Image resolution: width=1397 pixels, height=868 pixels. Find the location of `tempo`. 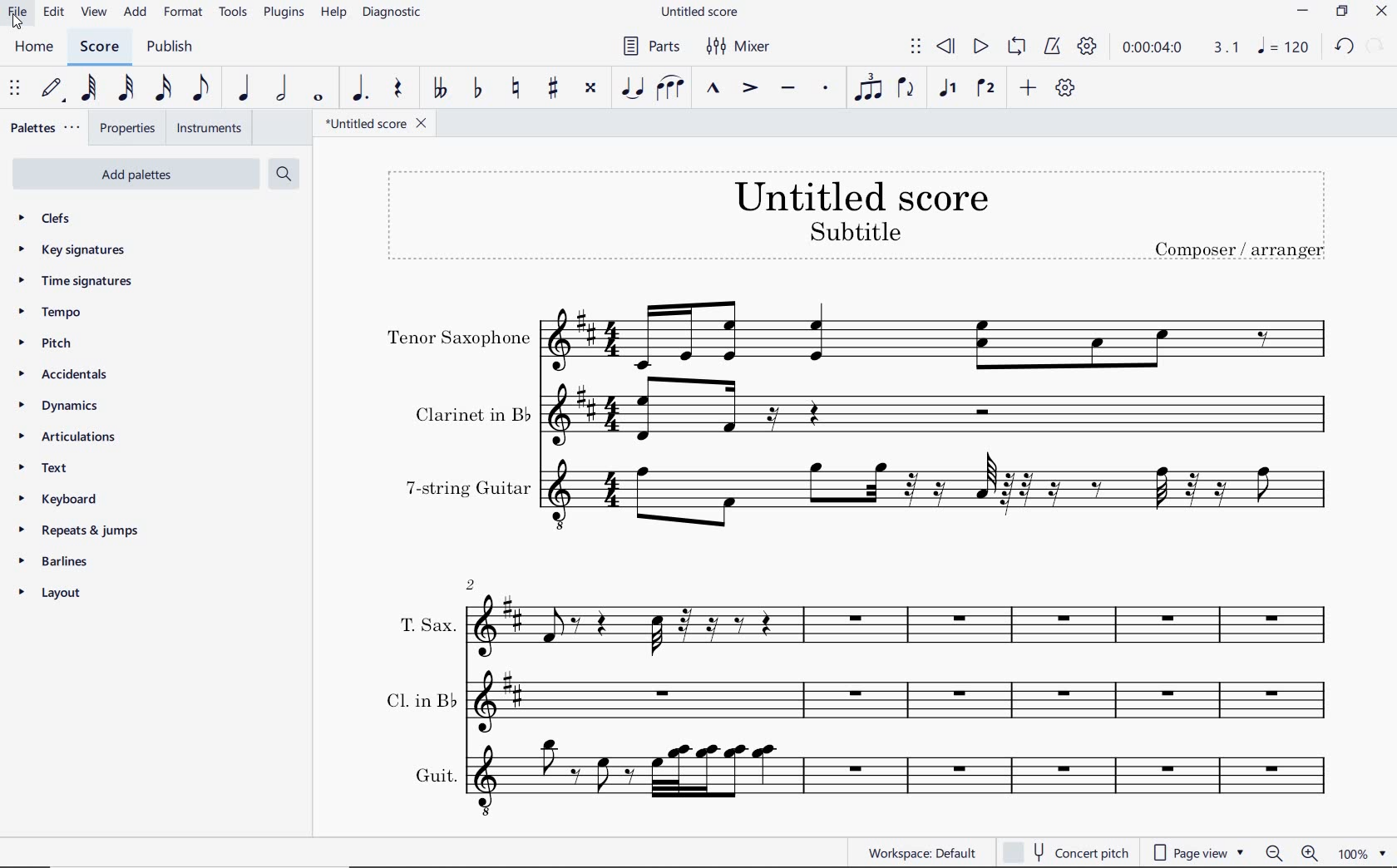

tempo is located at coordinates (52, 313).